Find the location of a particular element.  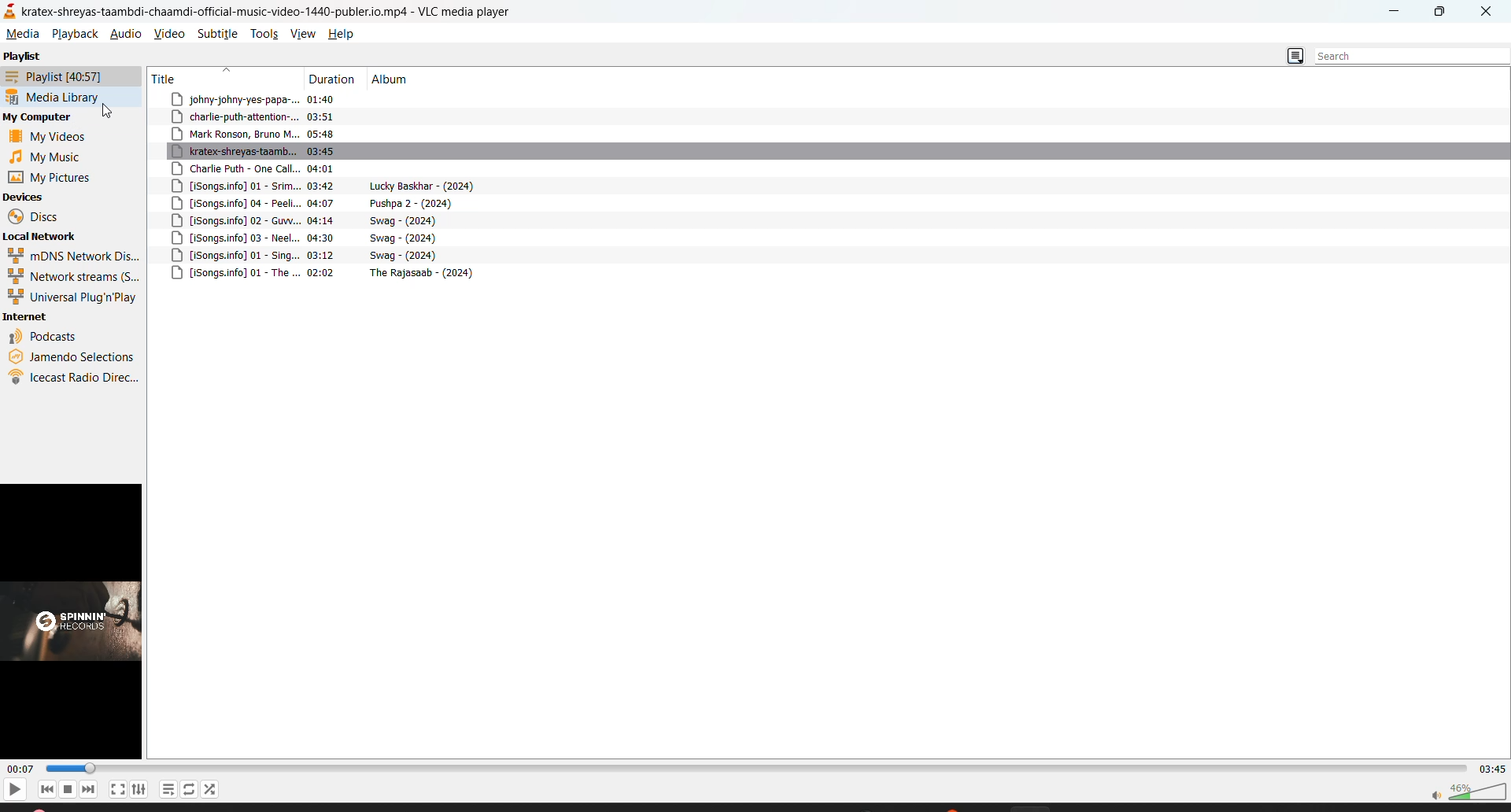

playlist is located at coordinates (29, 56).